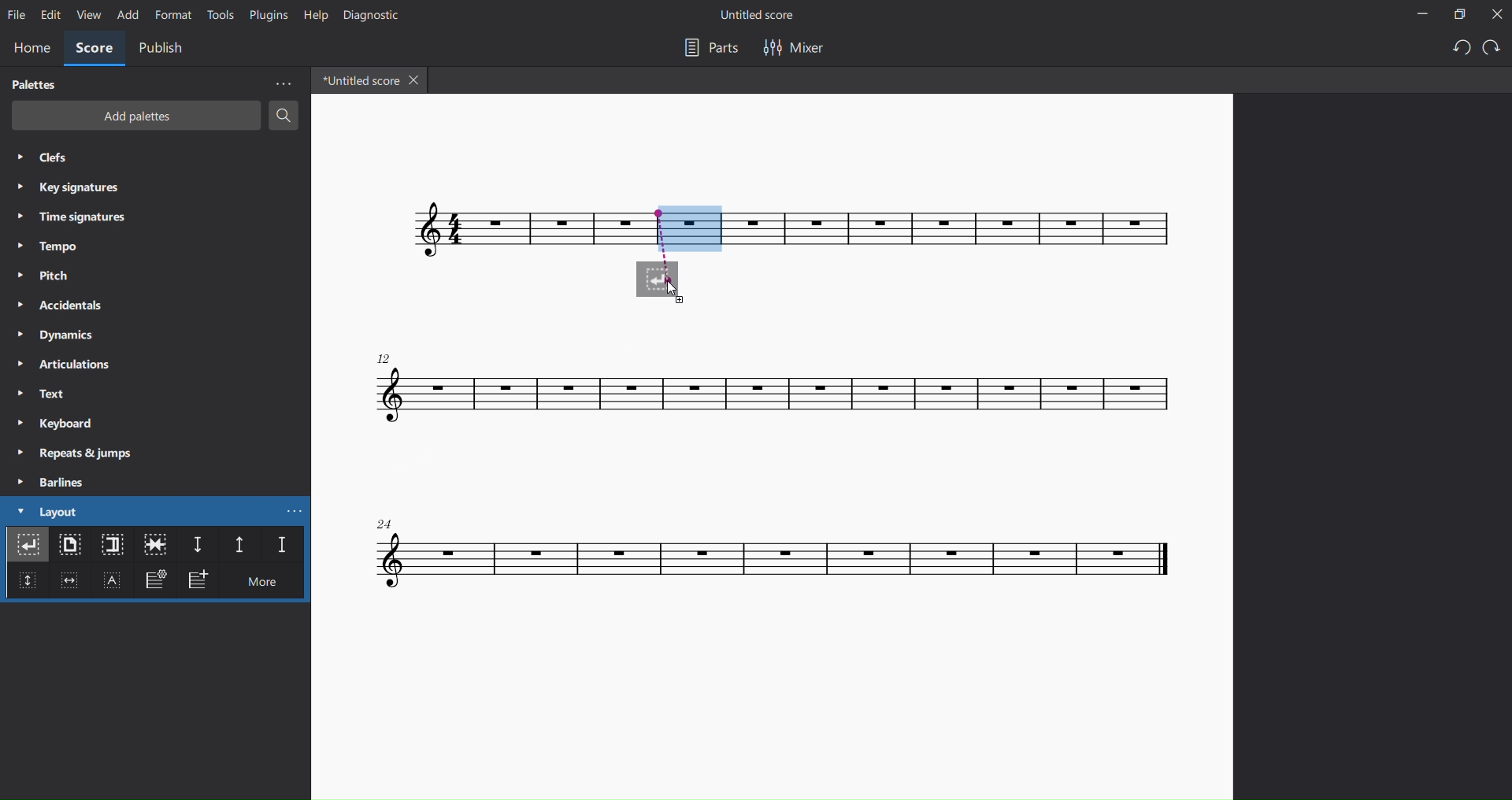  I want to click on close, so click(1495, 15).